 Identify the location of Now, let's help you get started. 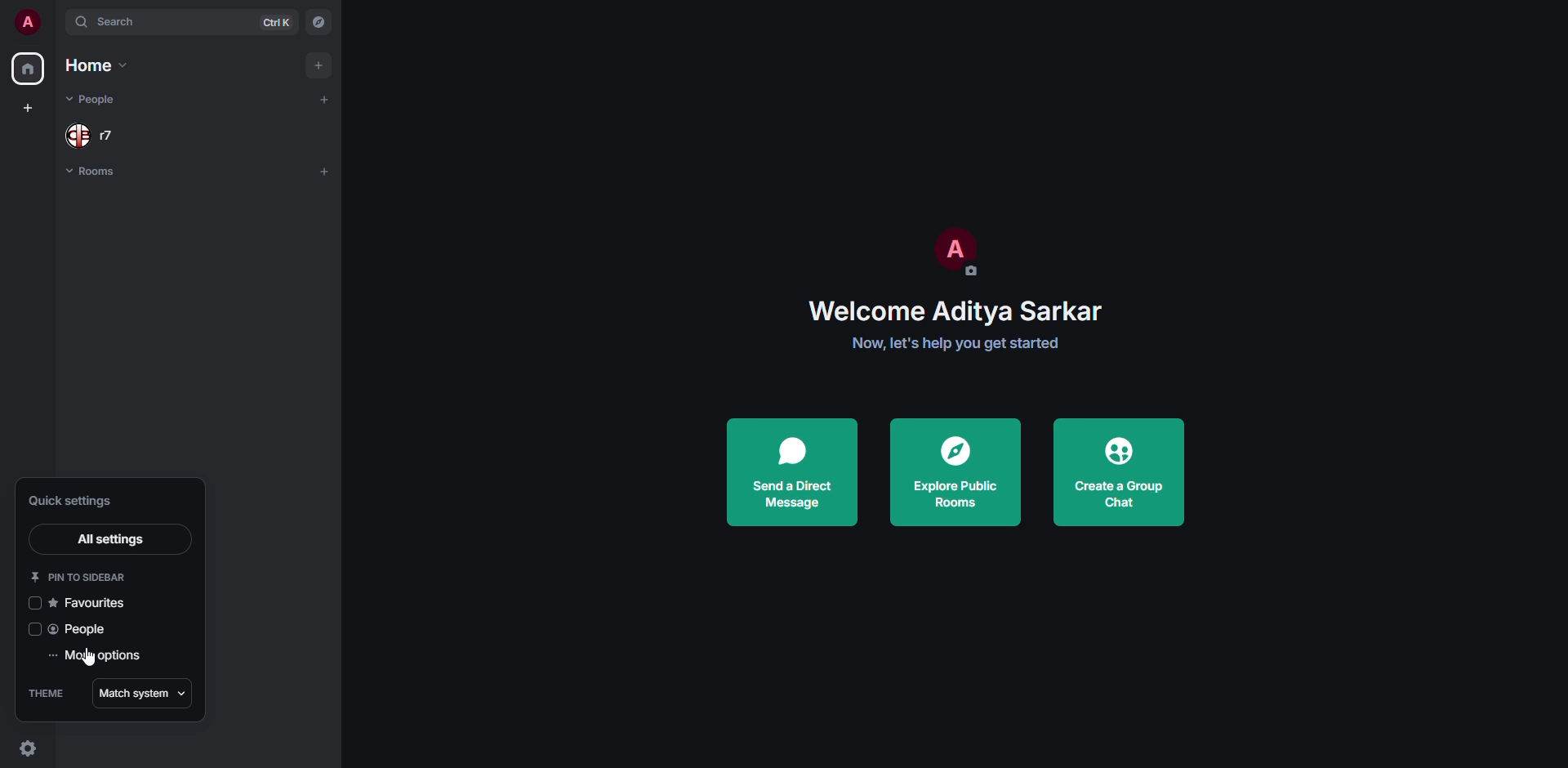
(956, 345).